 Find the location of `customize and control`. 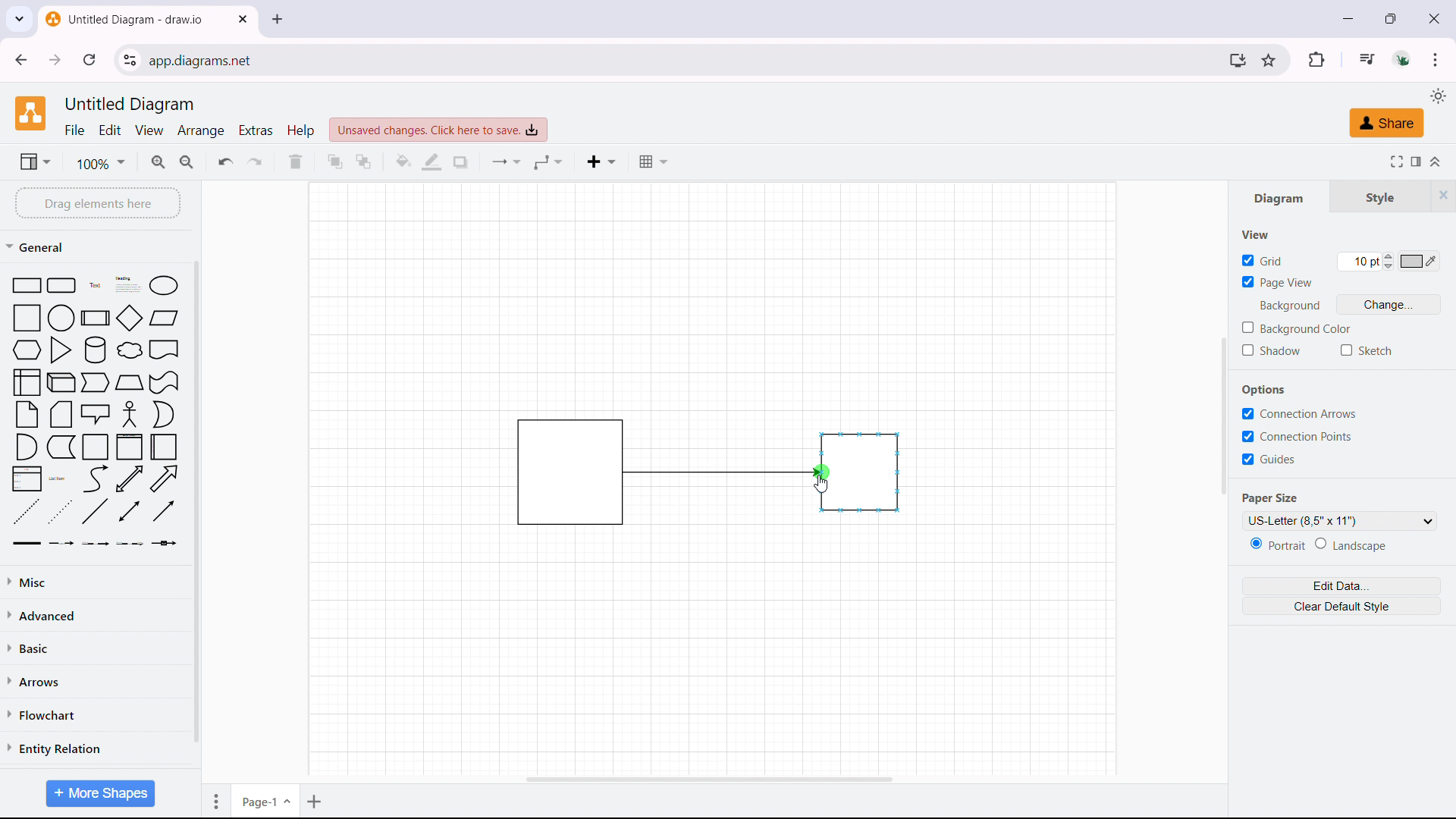

customize and control is located at coordinates (1436, 59).